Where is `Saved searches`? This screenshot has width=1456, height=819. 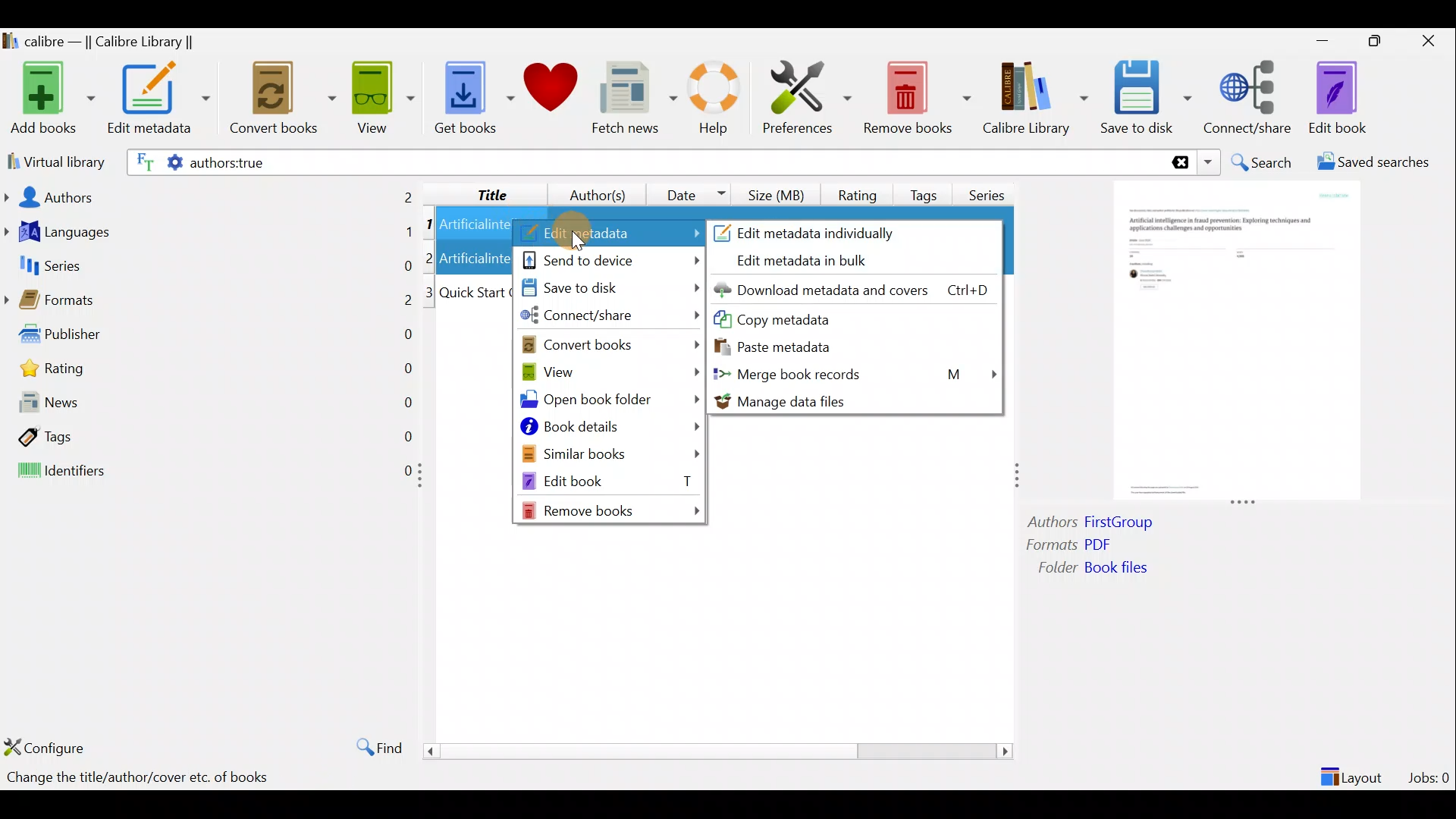 Saved searches is located at coordinates (1378, 164).